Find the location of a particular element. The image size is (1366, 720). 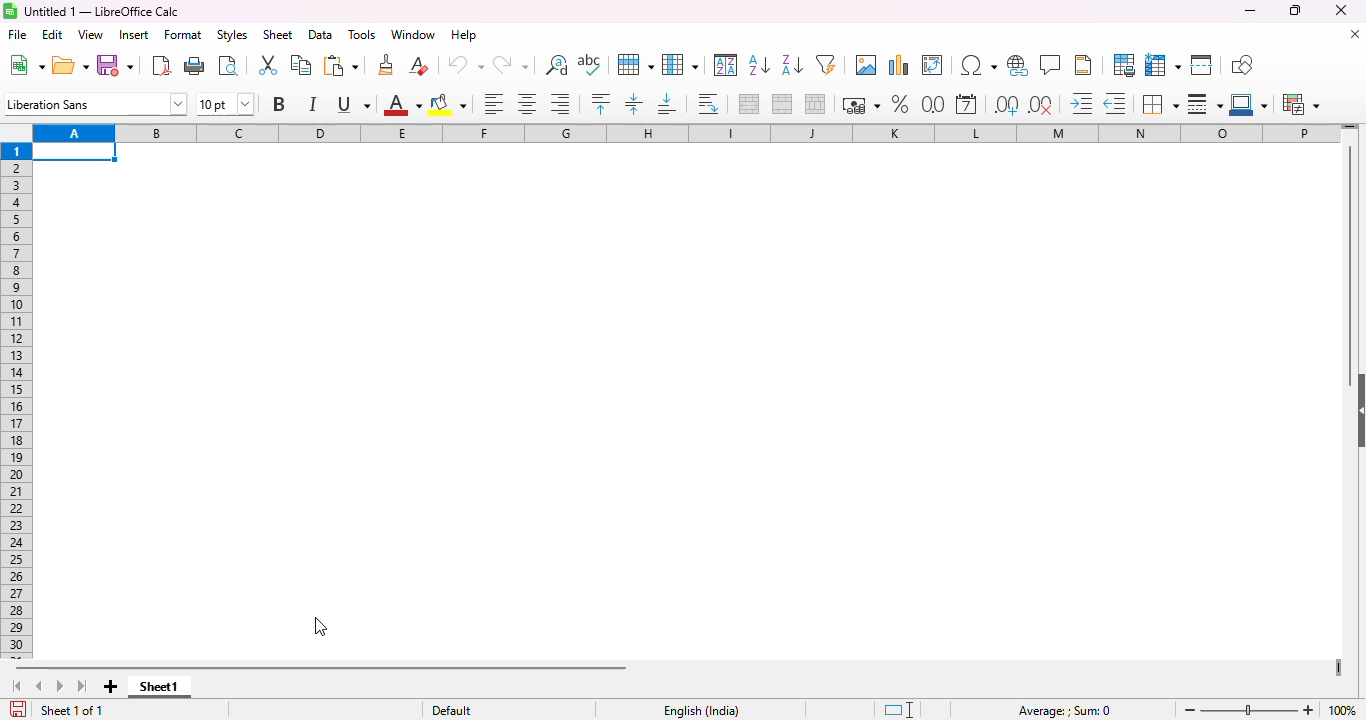

merge cells is located at coordinates (784, 104).